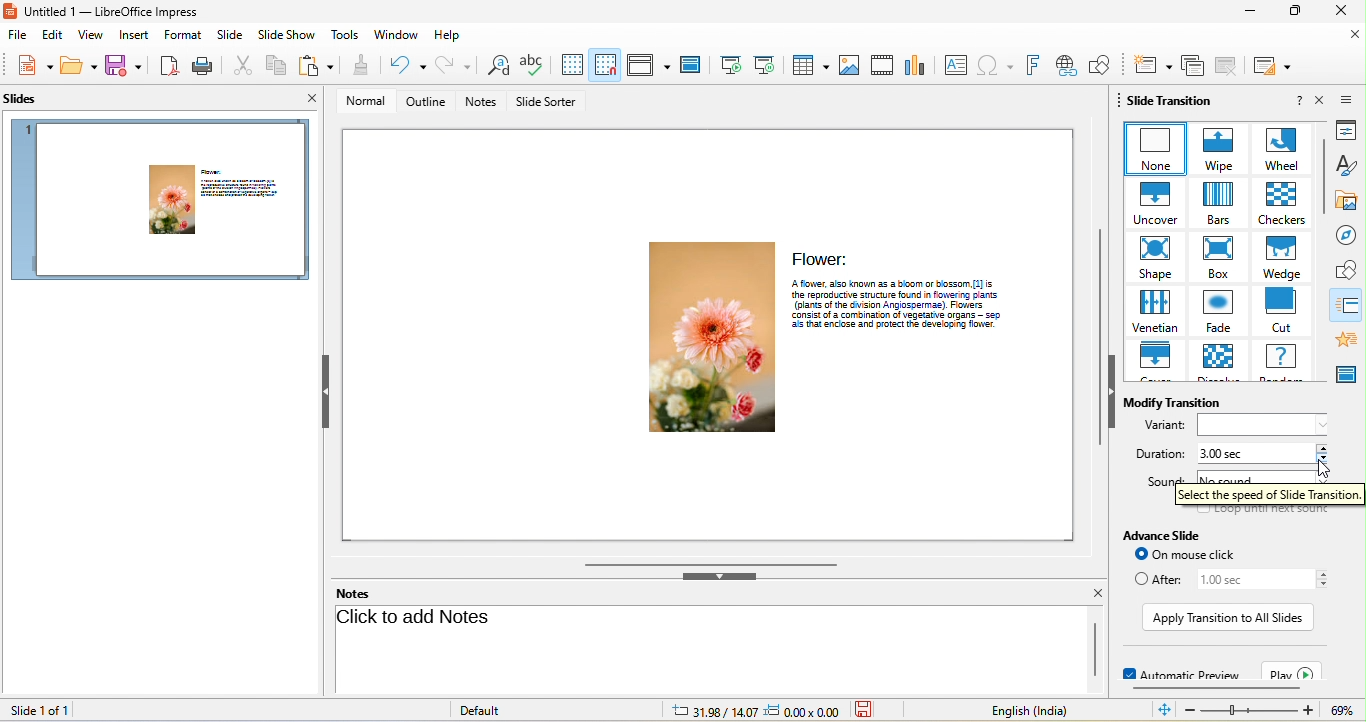 This screenshot has height=722, width=1366. I want to click on help, so click(1298, 101).